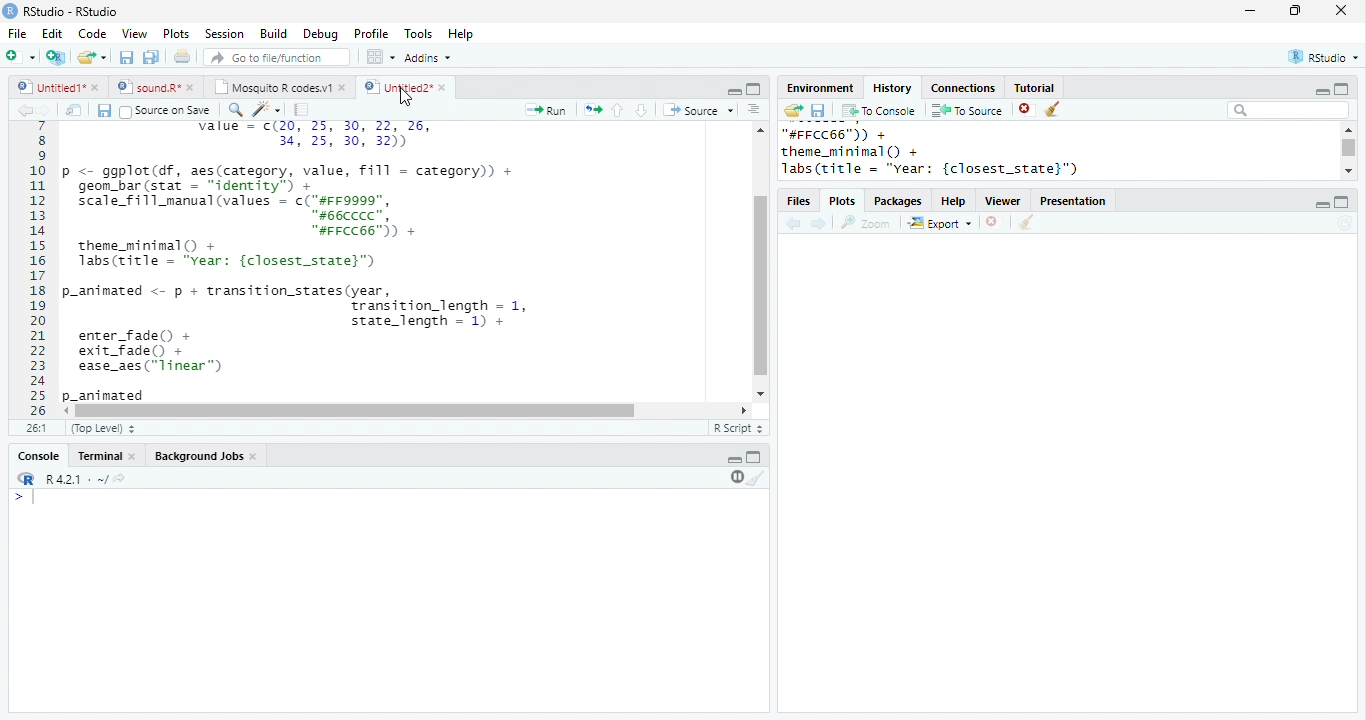 This screenshot has width=1366, height=720. I want to click on scroll down, so click(761, 393).